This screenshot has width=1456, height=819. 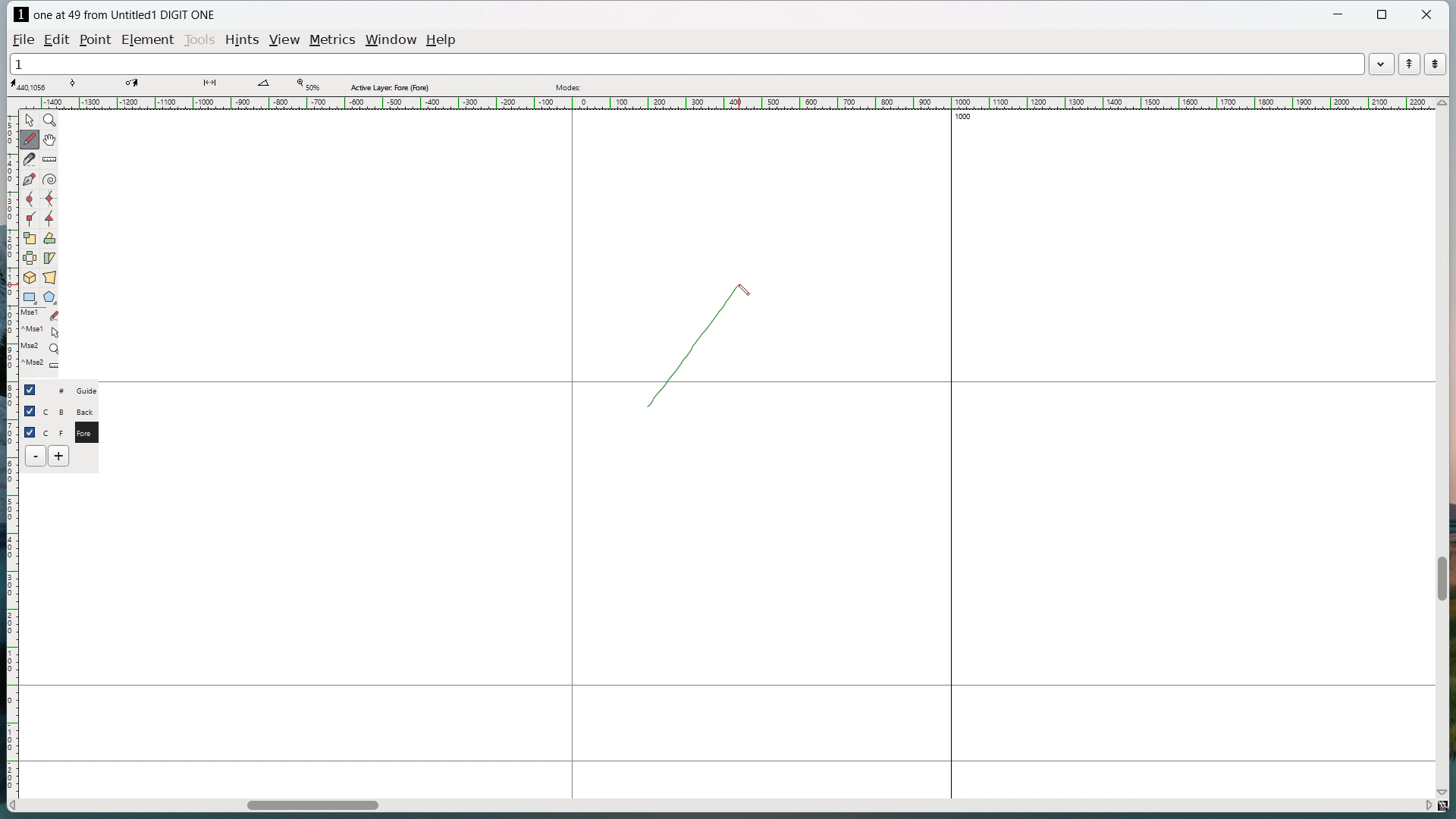 I want to click on polygon/star, so click(x=50, y=297).